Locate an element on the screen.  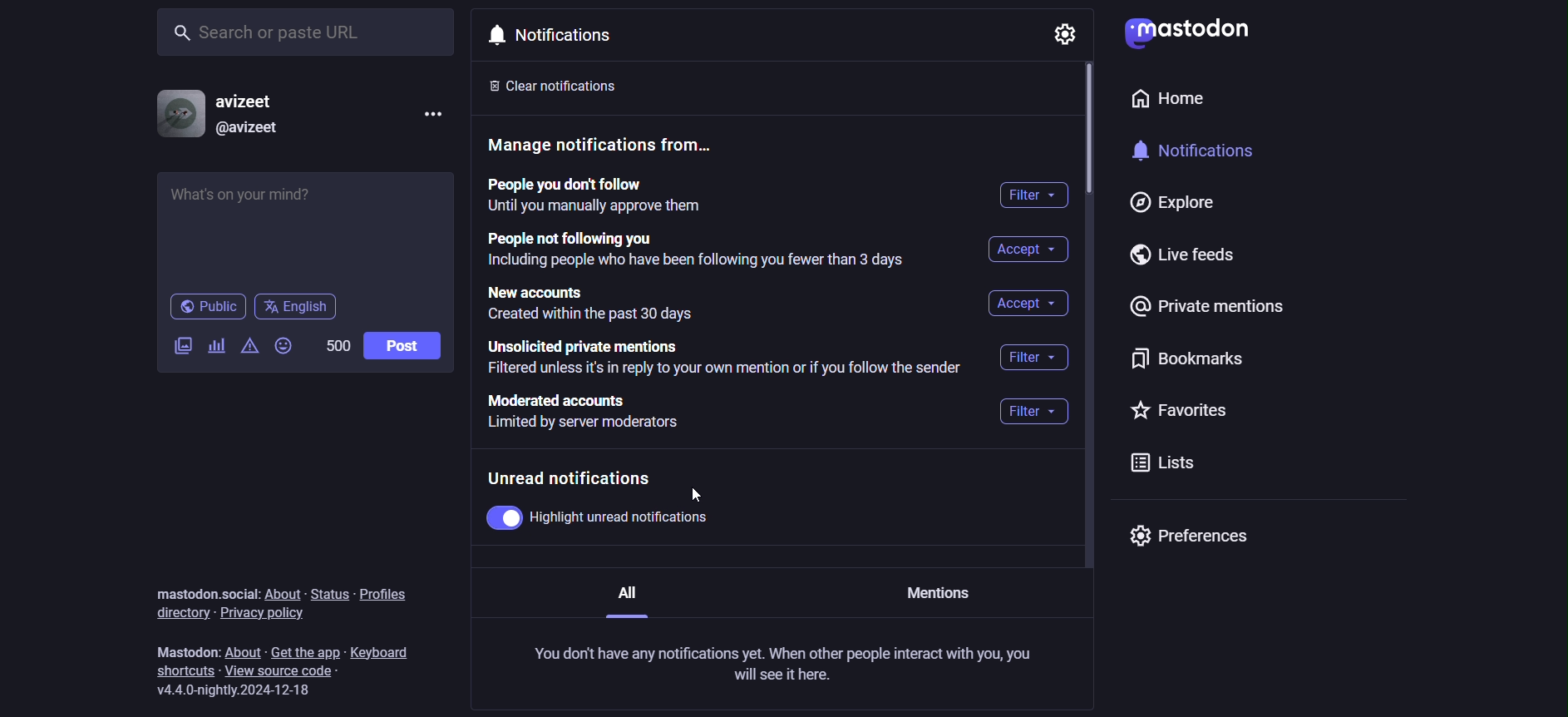
live feeds is located at coordinates (1190, 255).